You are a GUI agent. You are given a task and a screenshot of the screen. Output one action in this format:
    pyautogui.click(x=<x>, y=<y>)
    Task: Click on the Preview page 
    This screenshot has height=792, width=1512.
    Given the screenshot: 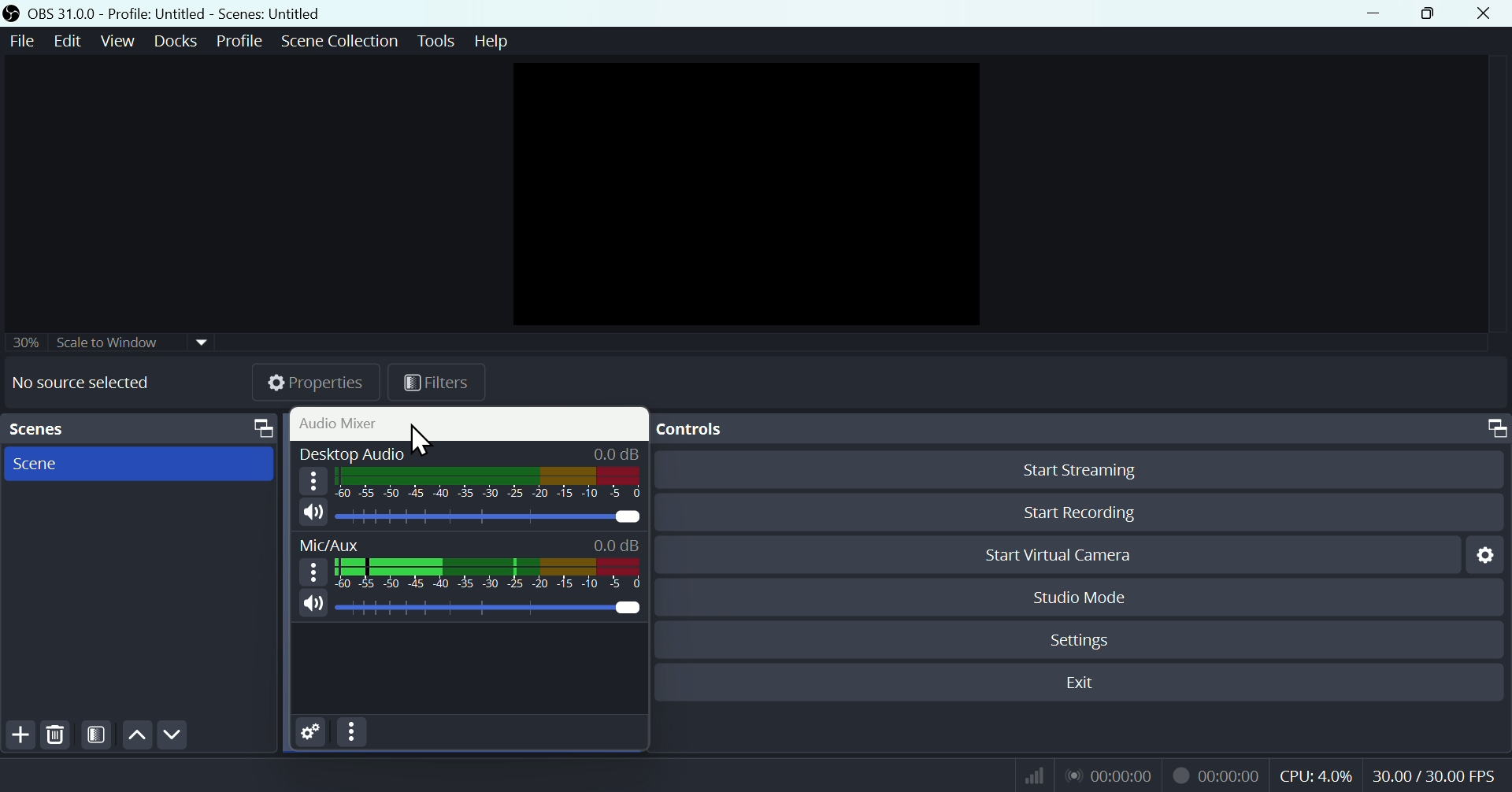 What is the action you would take?
    pyautogui.click(x=741, y=190)
    